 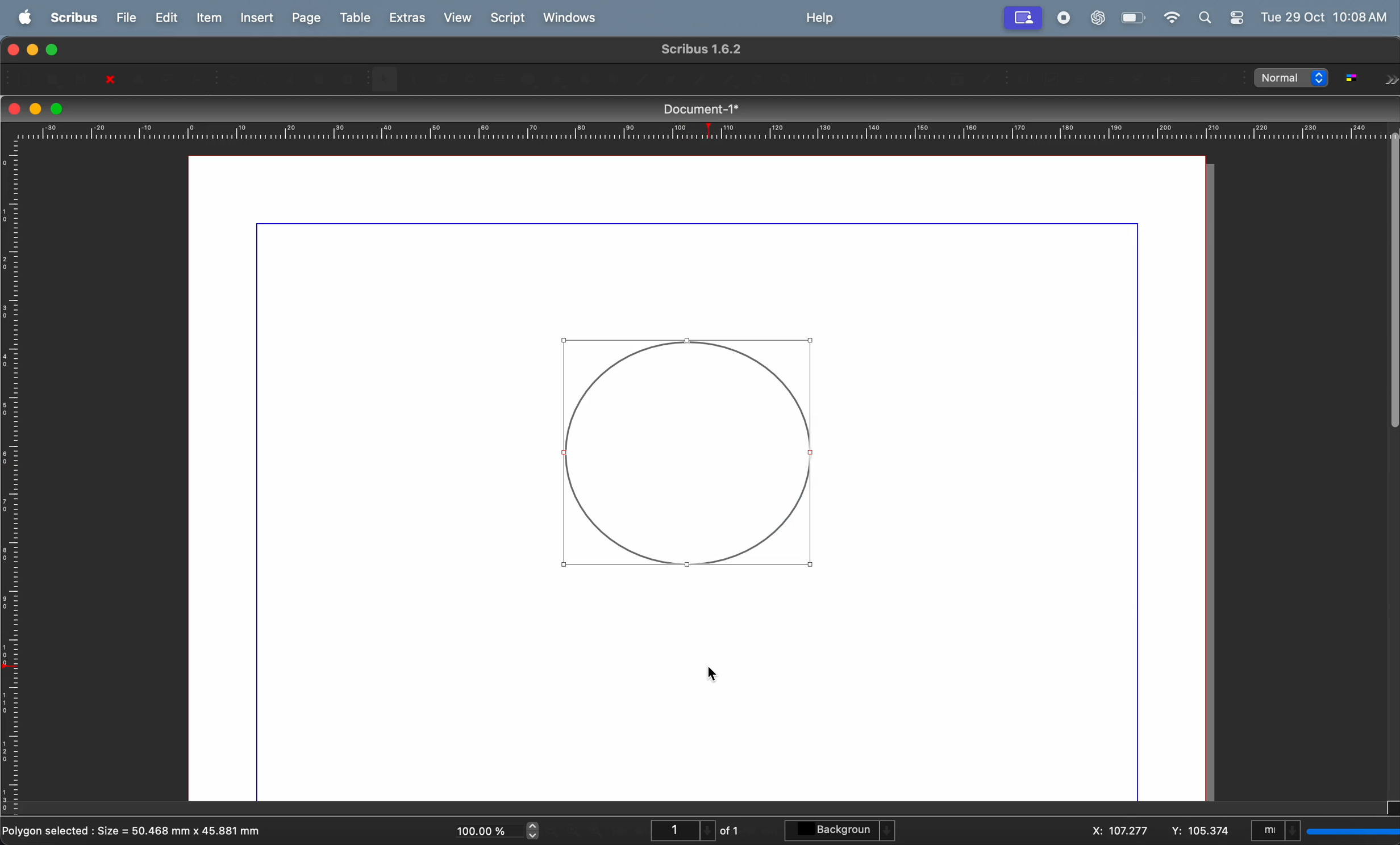 I want to click on document title, so click(x=696, y=110).